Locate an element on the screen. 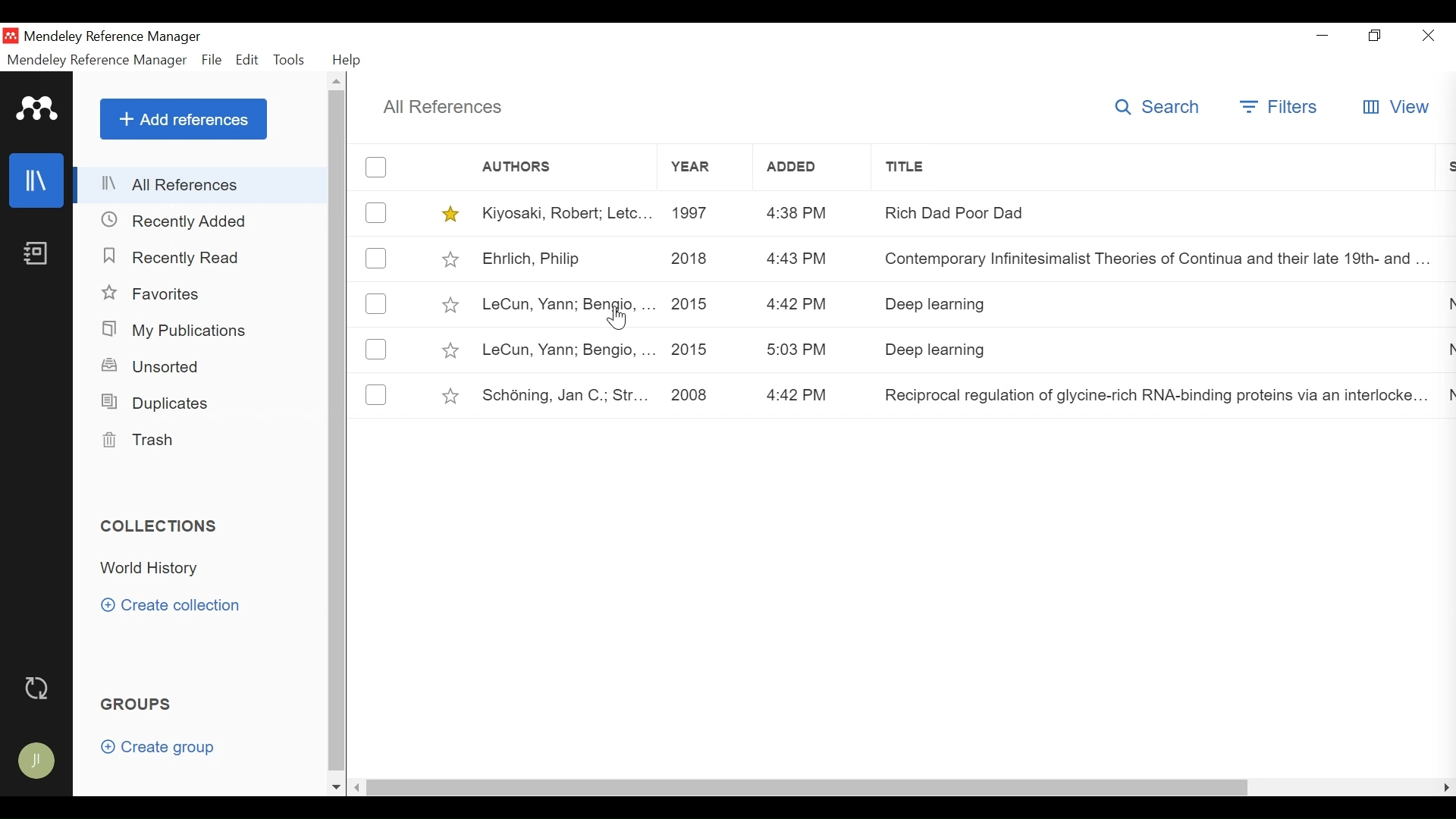 This screenshot has width=1456, height=819. 4:38 PM is located at coordinates (798, 214).